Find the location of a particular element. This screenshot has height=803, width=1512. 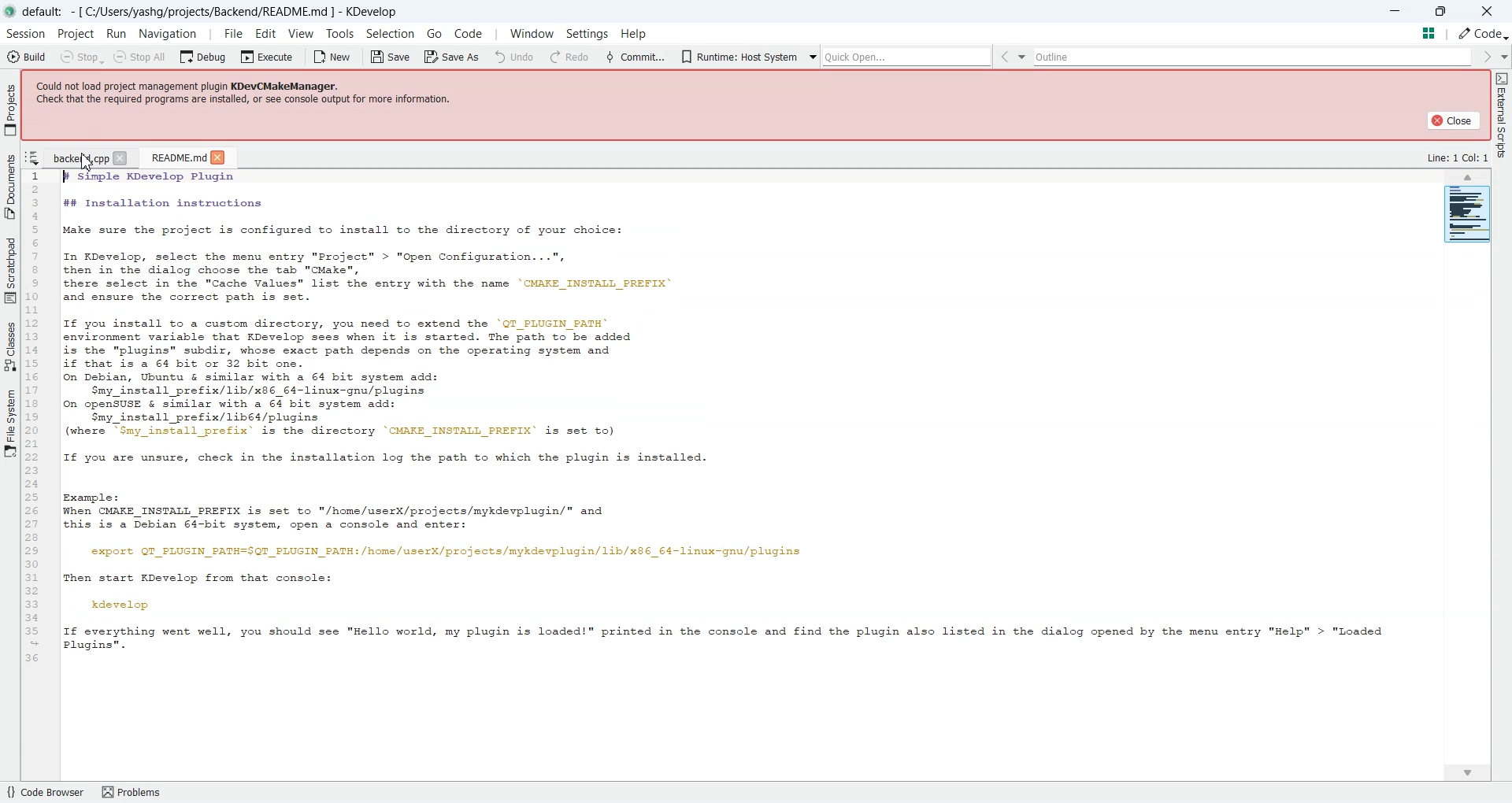

Minimize is located at coordinates (1397, 11).